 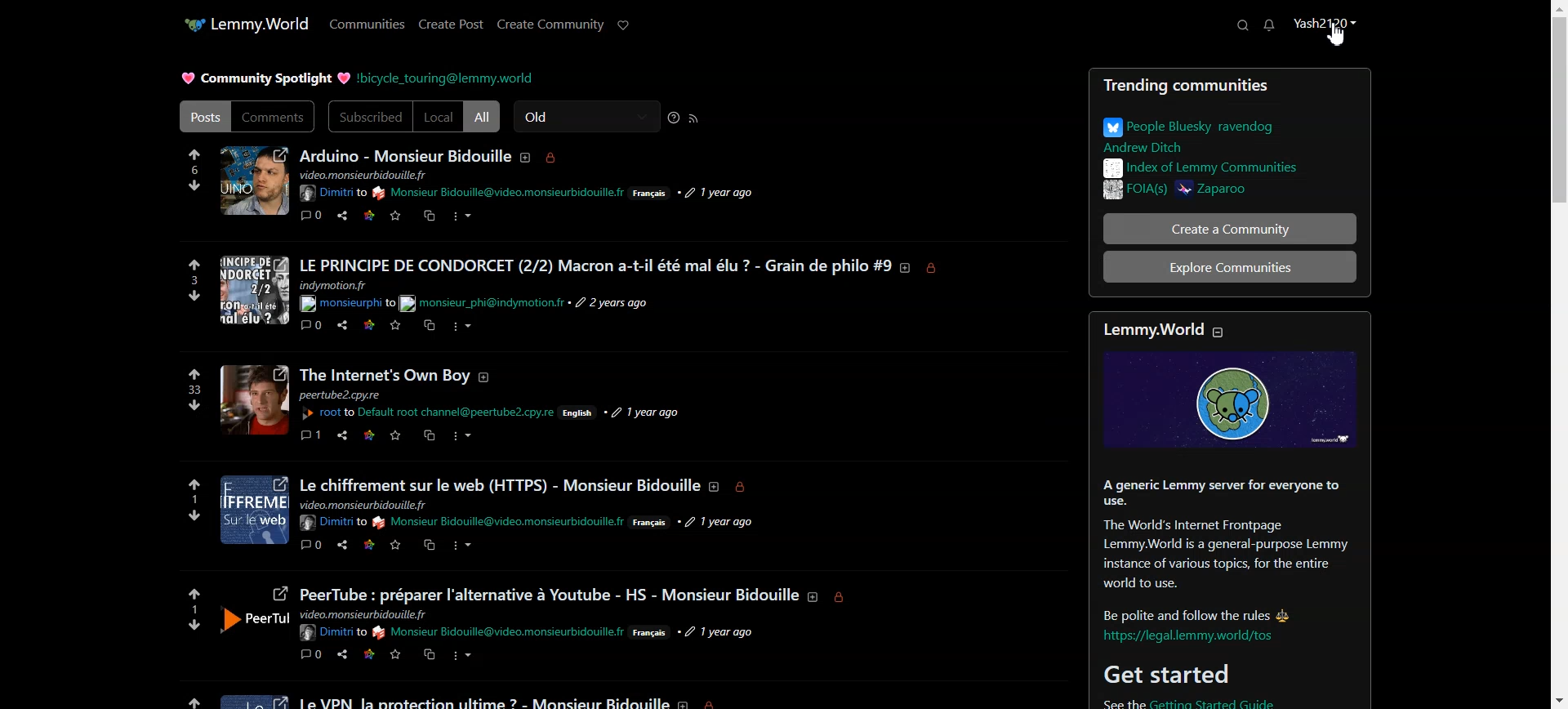 I want to click on Francais, so click(x=655, y=524).